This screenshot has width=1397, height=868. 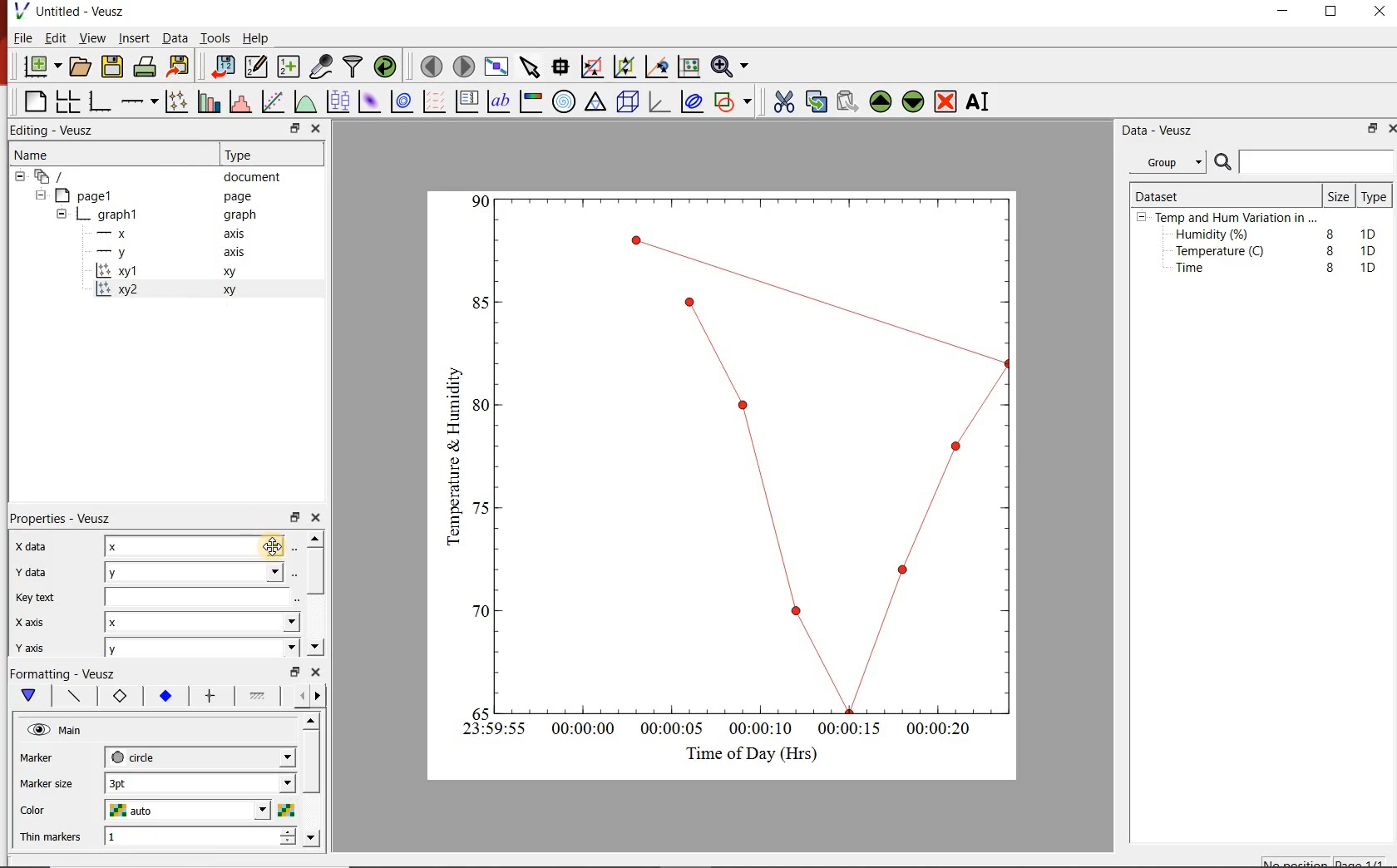 What do you see at coordinates (479, 711) in the screenshot?
I see `0` at bounding box center [479, 711].